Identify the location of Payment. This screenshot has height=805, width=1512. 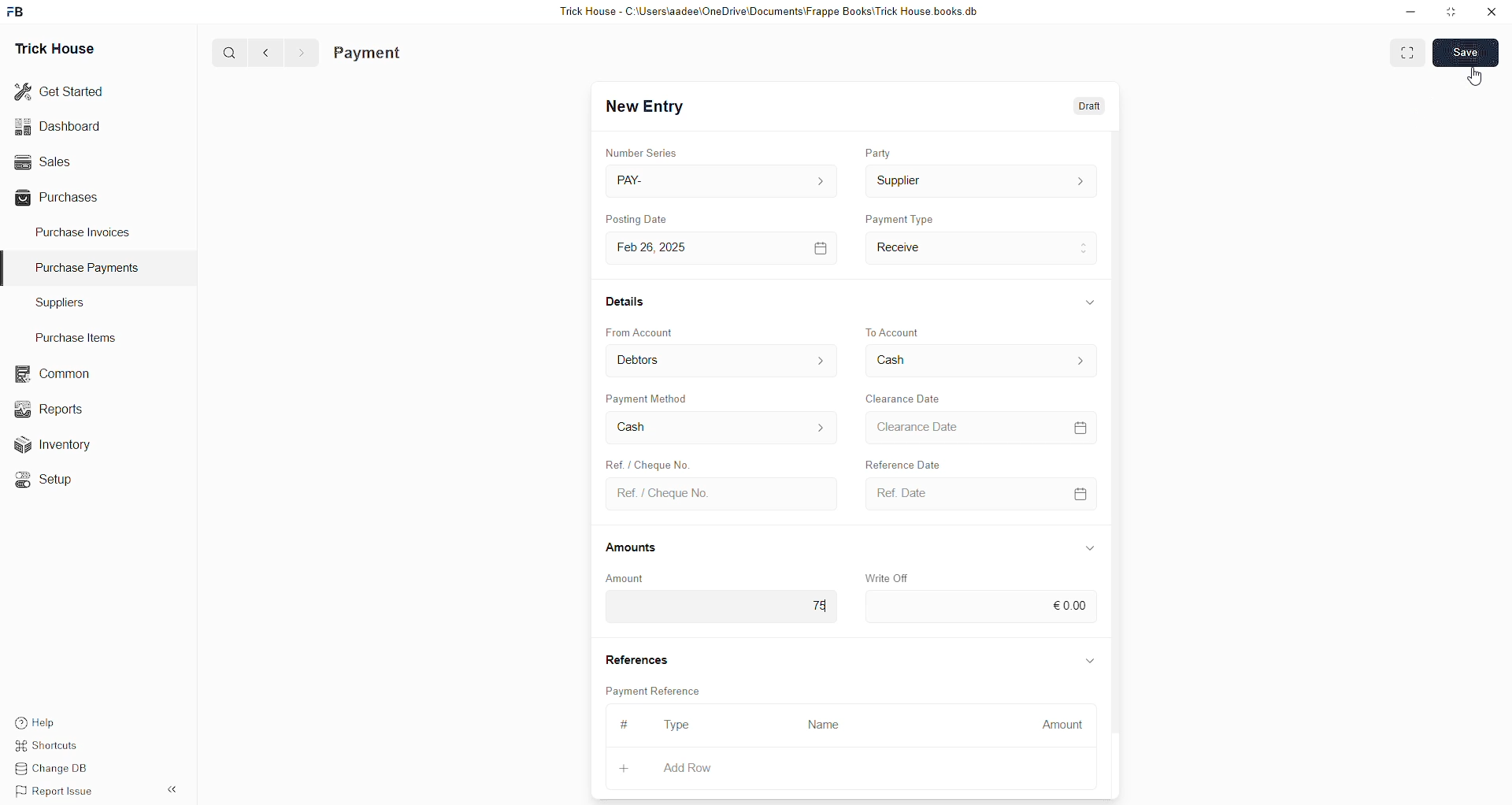
(370, 52).